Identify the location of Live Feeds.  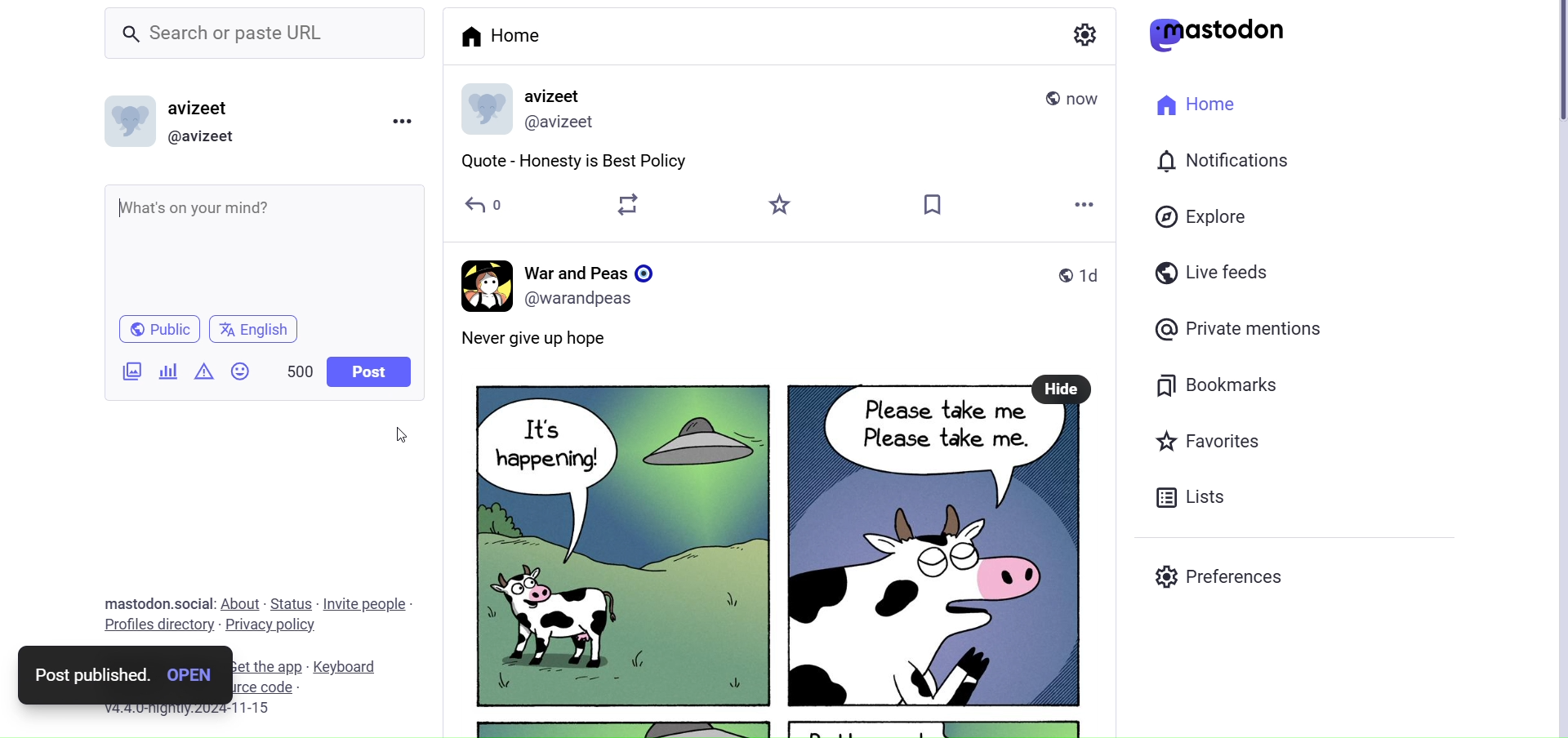
(1211, 273).